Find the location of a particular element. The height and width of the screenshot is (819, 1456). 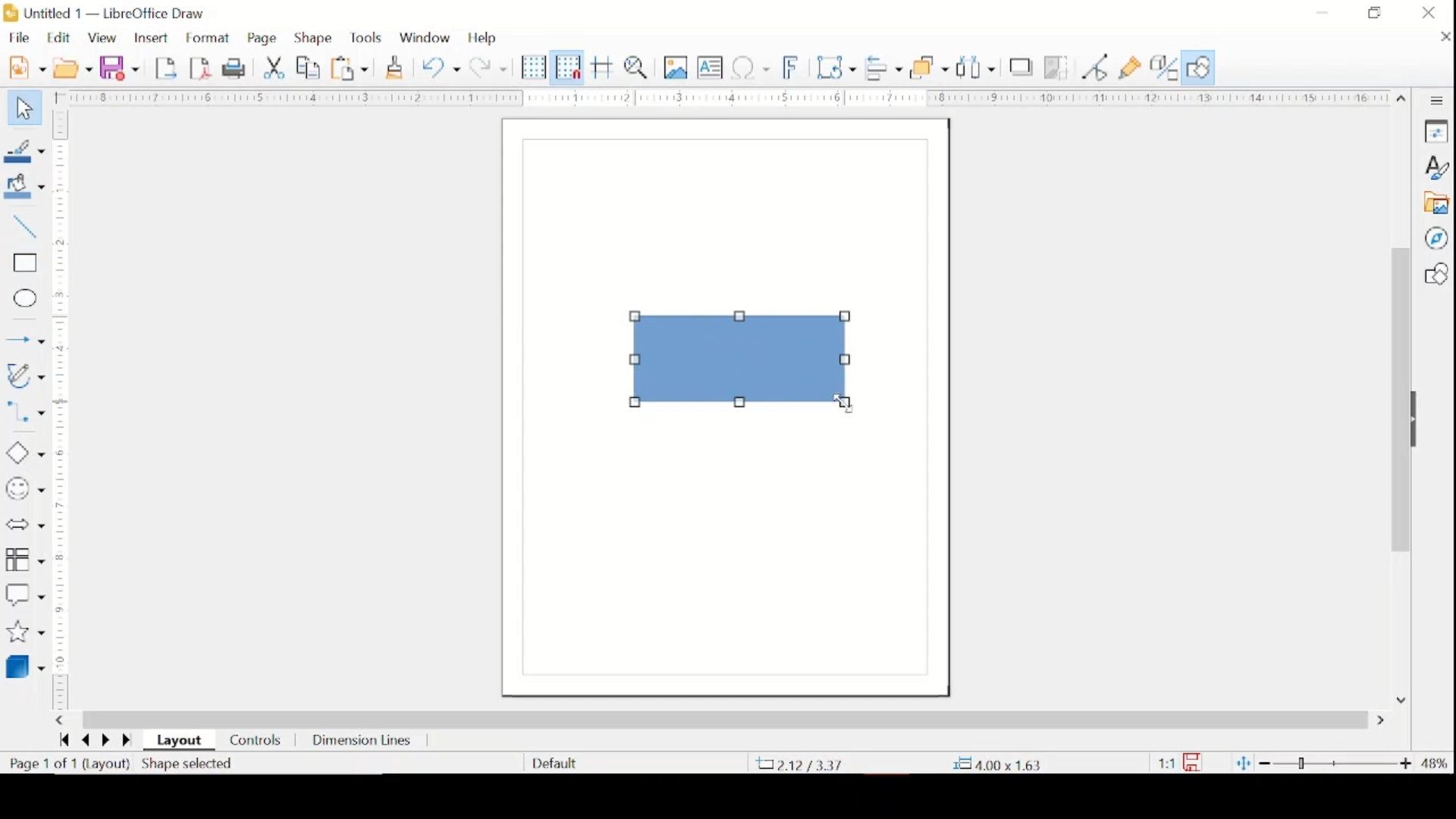

insert fontwork text is located at coordinates (792, 66).